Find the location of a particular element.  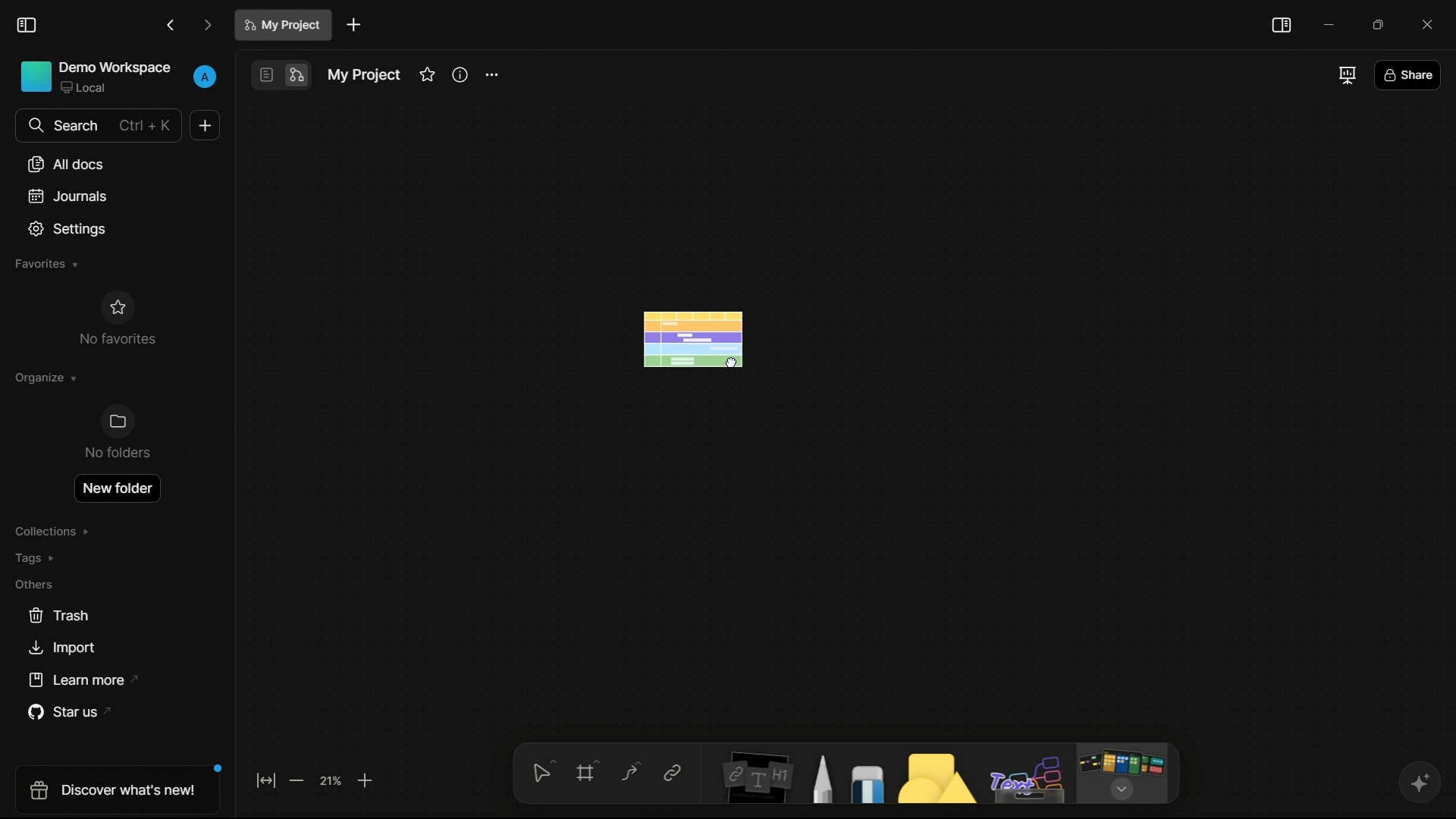

profile settings is located at coordinates (205, 77).